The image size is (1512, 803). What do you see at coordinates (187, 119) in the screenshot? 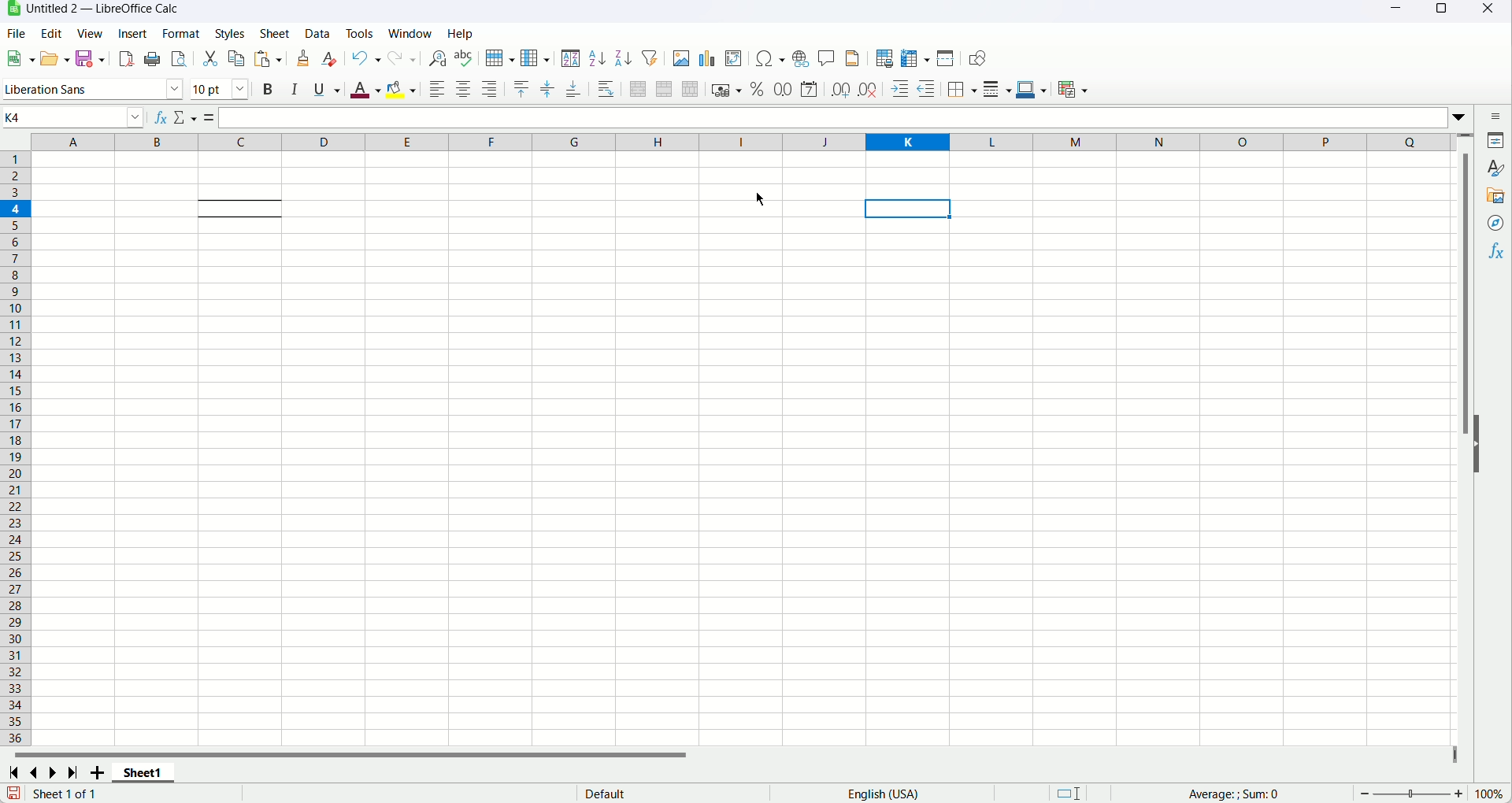
I see `Select function` at bounding box center [187, 119].